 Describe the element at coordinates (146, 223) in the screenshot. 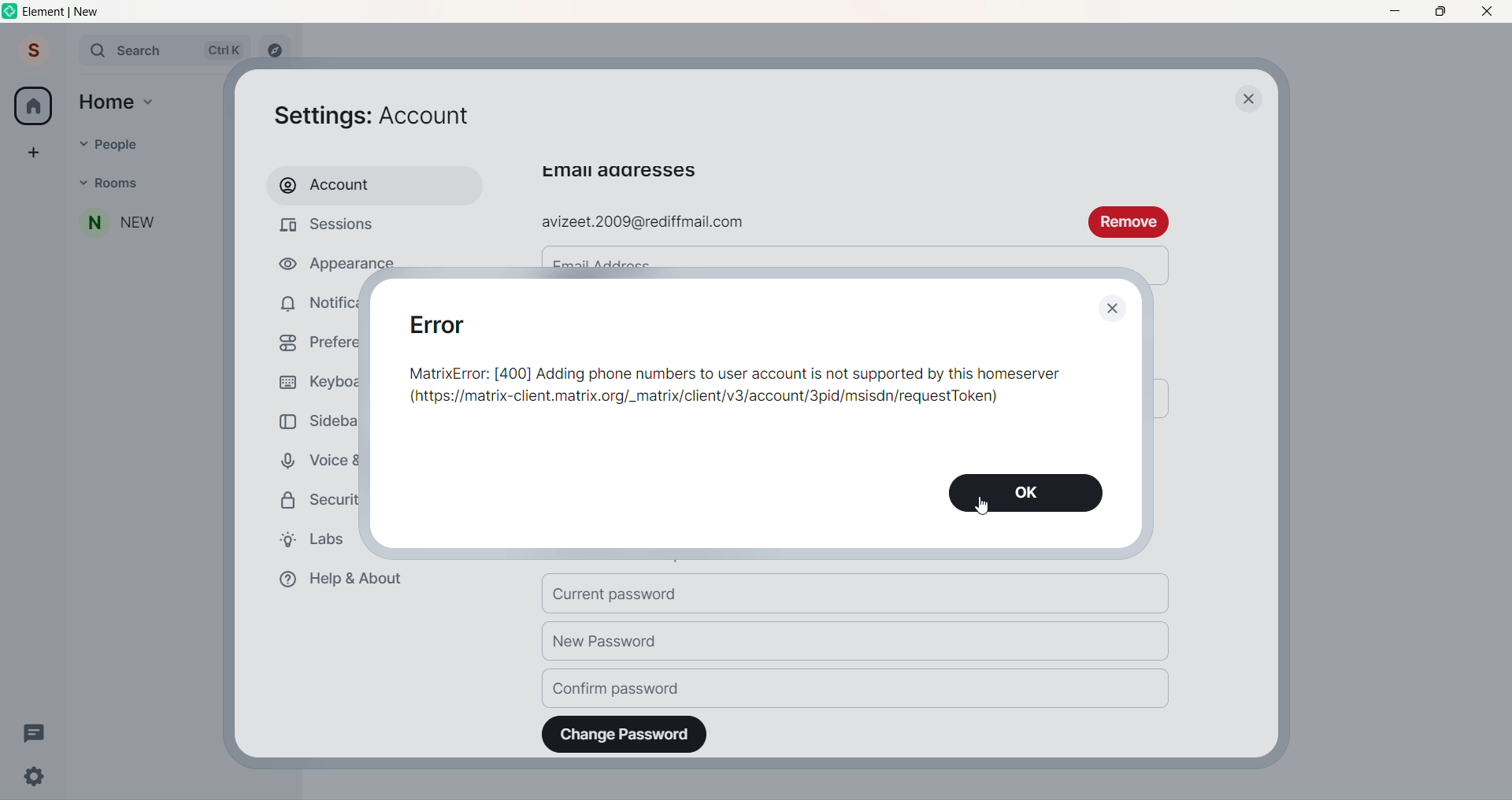

I see `People added to Room` at that location.